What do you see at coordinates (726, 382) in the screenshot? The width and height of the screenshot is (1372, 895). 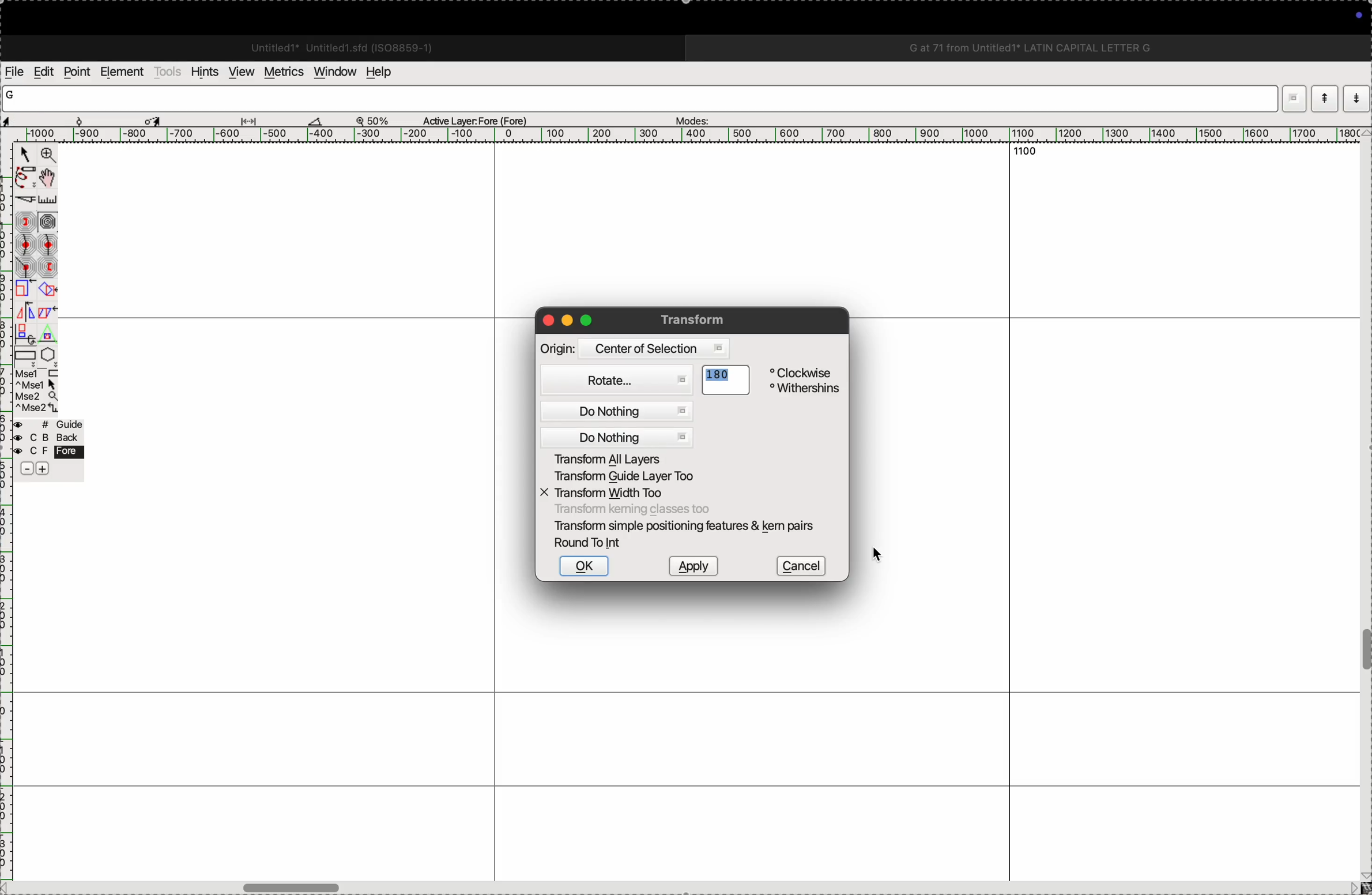 I see `180` at bounding box center [726, 382].